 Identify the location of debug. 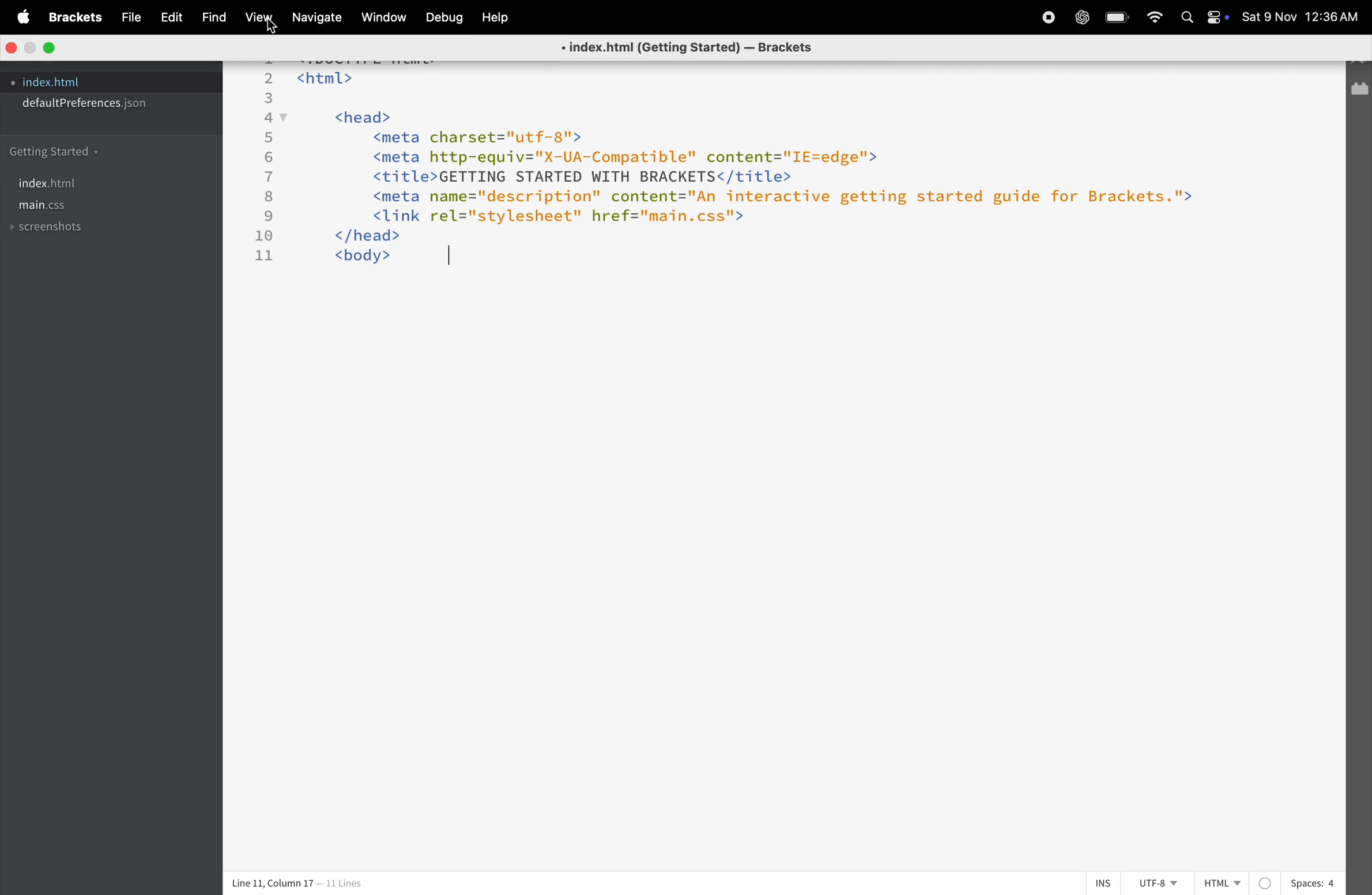
(441, 17).